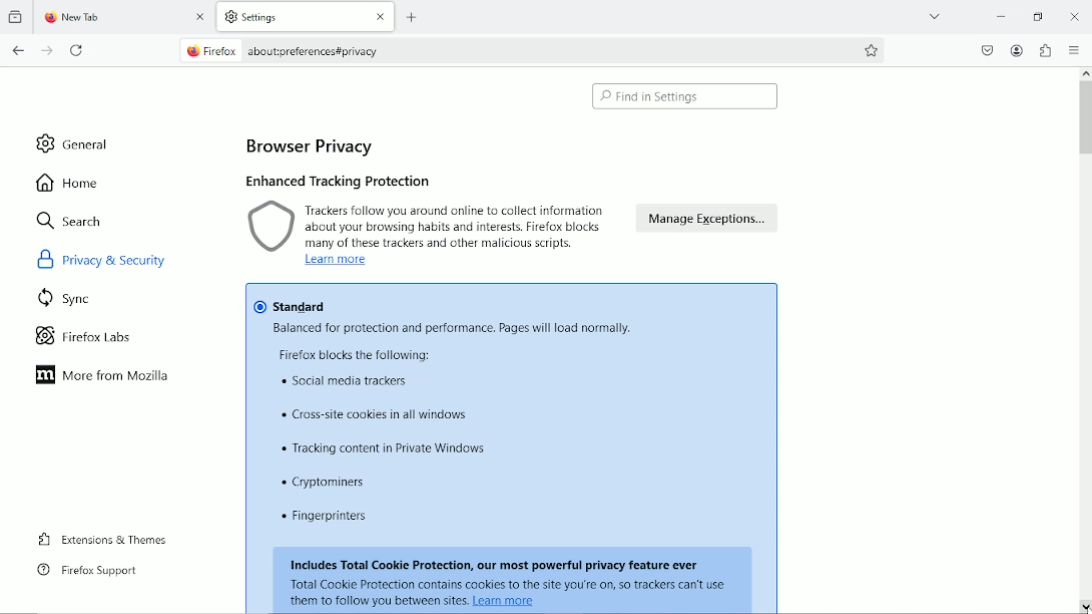 The width and height of the screenshot is (1092, 614). I want to click on privacy & security, so click(126, 258).